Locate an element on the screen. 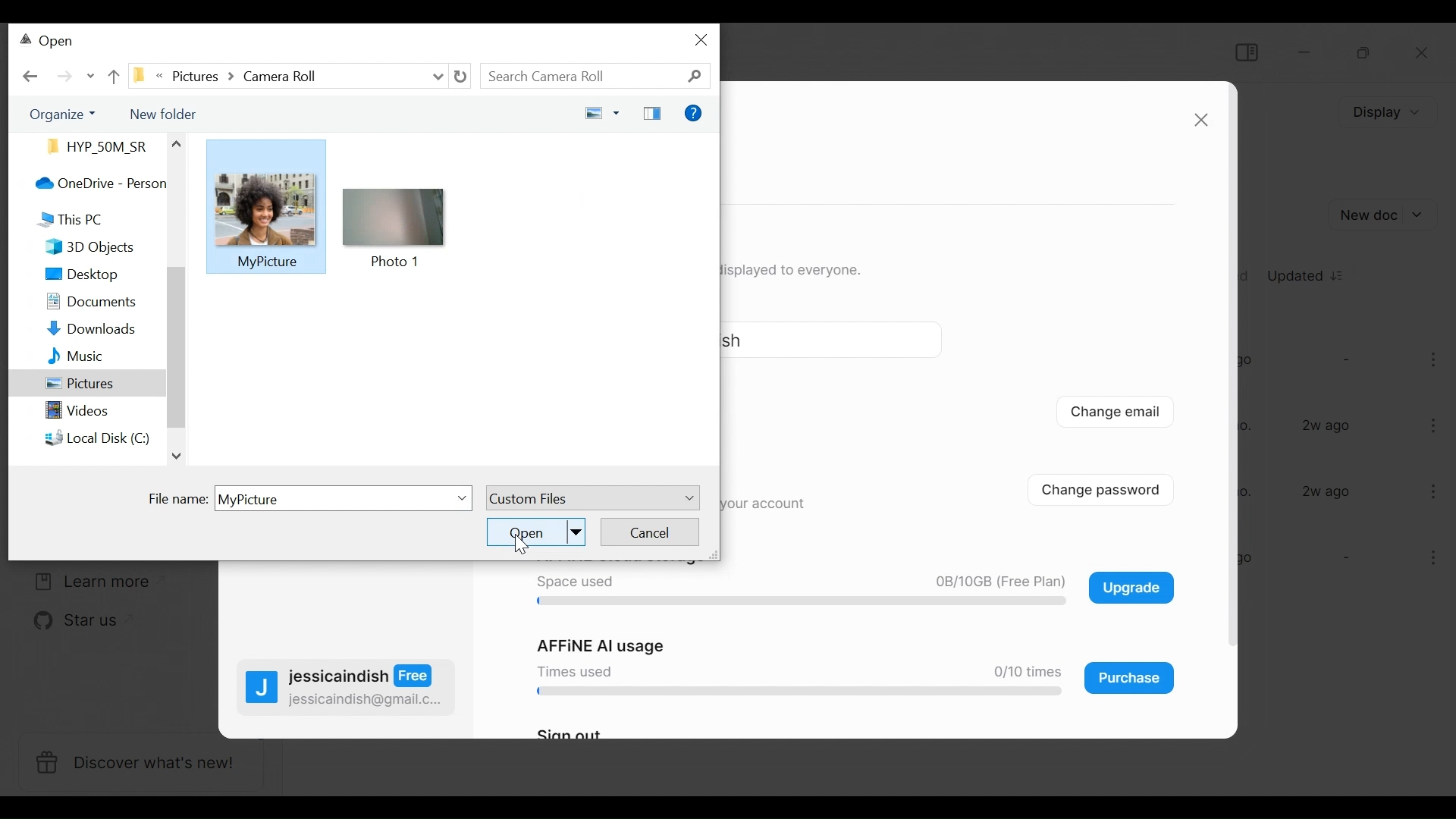 The height and width of the screenshot is (819, 1456). File Name is located at coordinates (306, 498).